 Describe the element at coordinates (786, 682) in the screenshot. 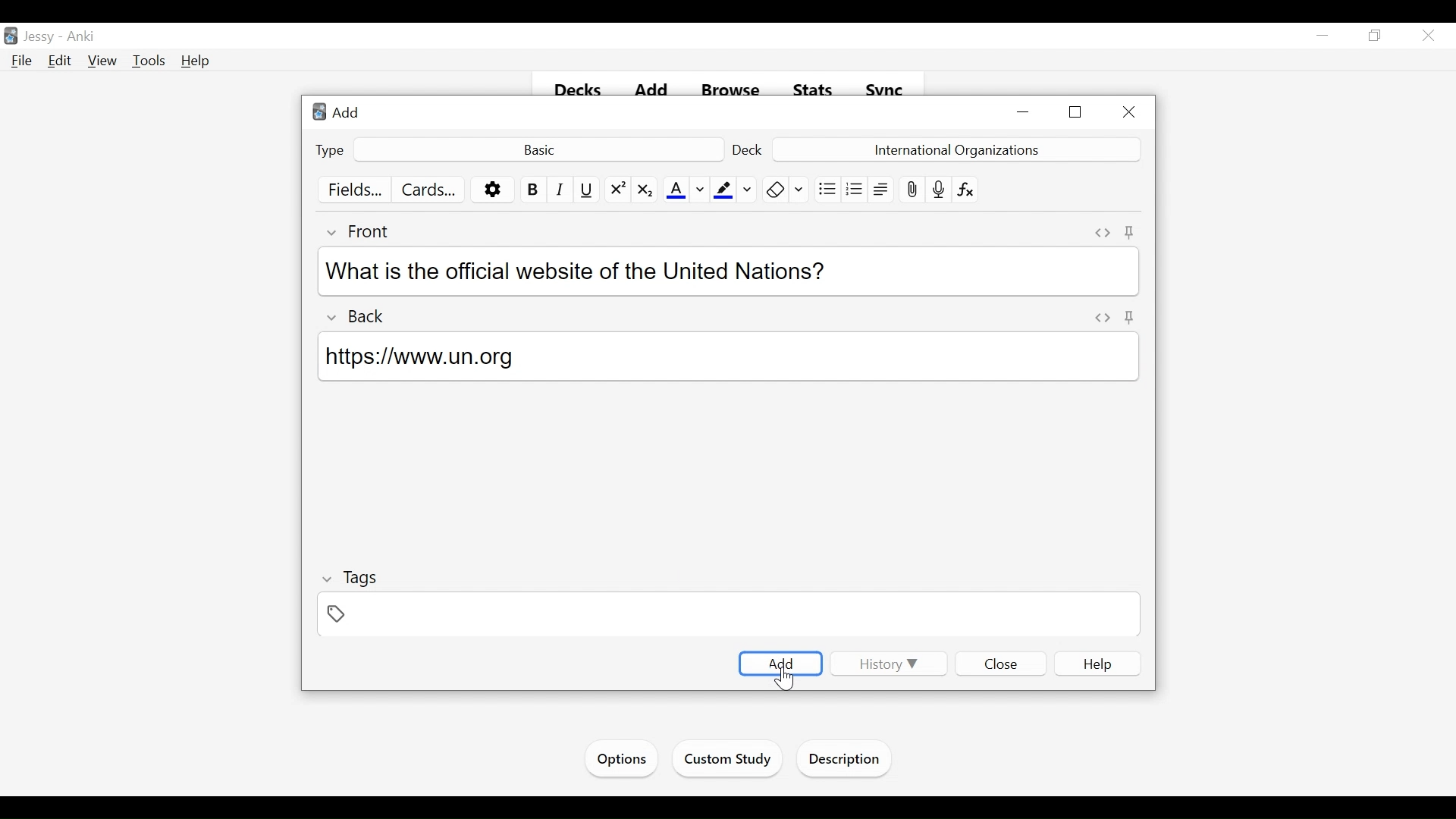

I see `Cursor` at that location.